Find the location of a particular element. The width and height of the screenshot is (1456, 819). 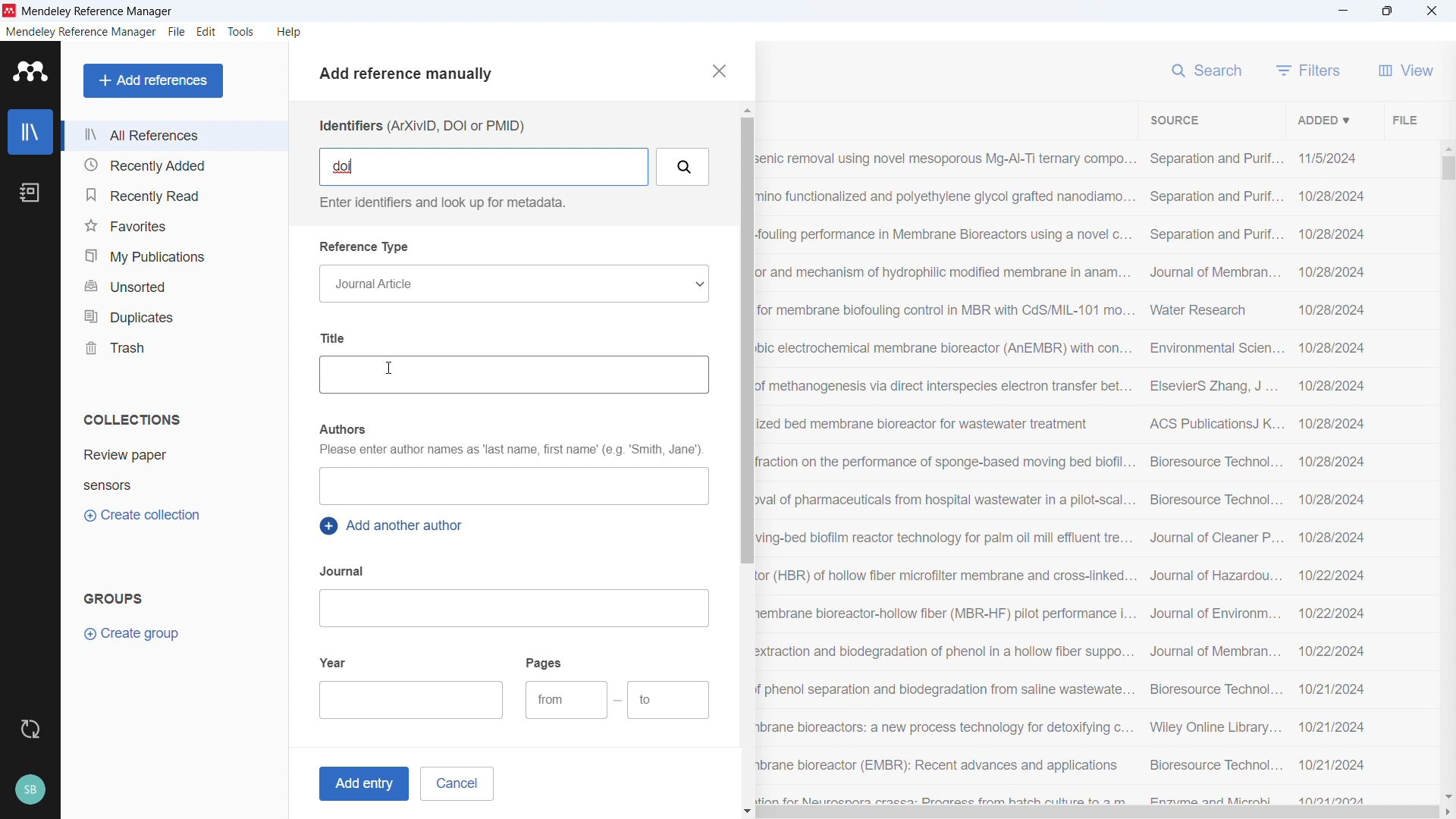

Ending page  is located at coordinates (669, 701).